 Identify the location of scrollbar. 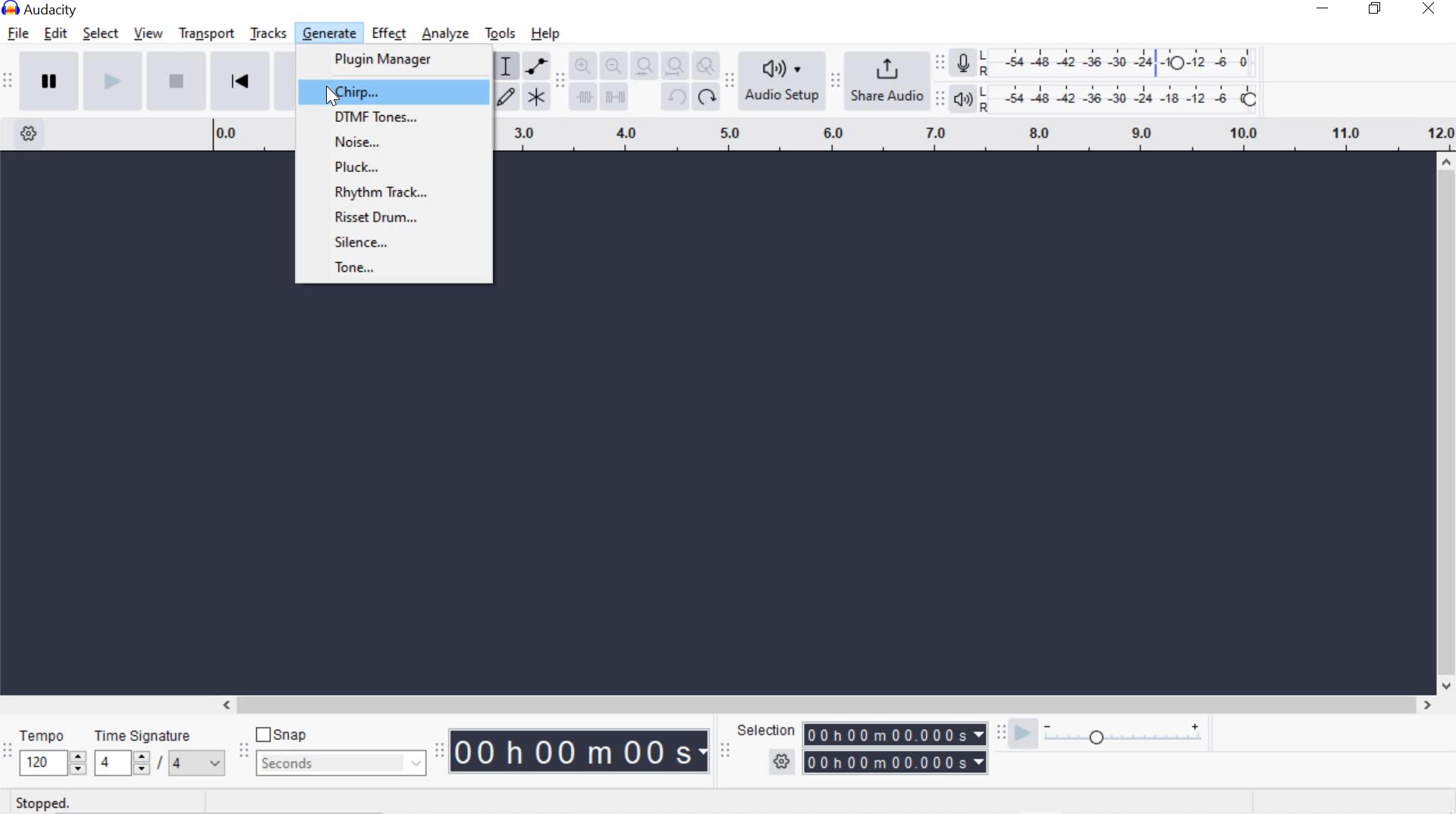
(1443, 423).